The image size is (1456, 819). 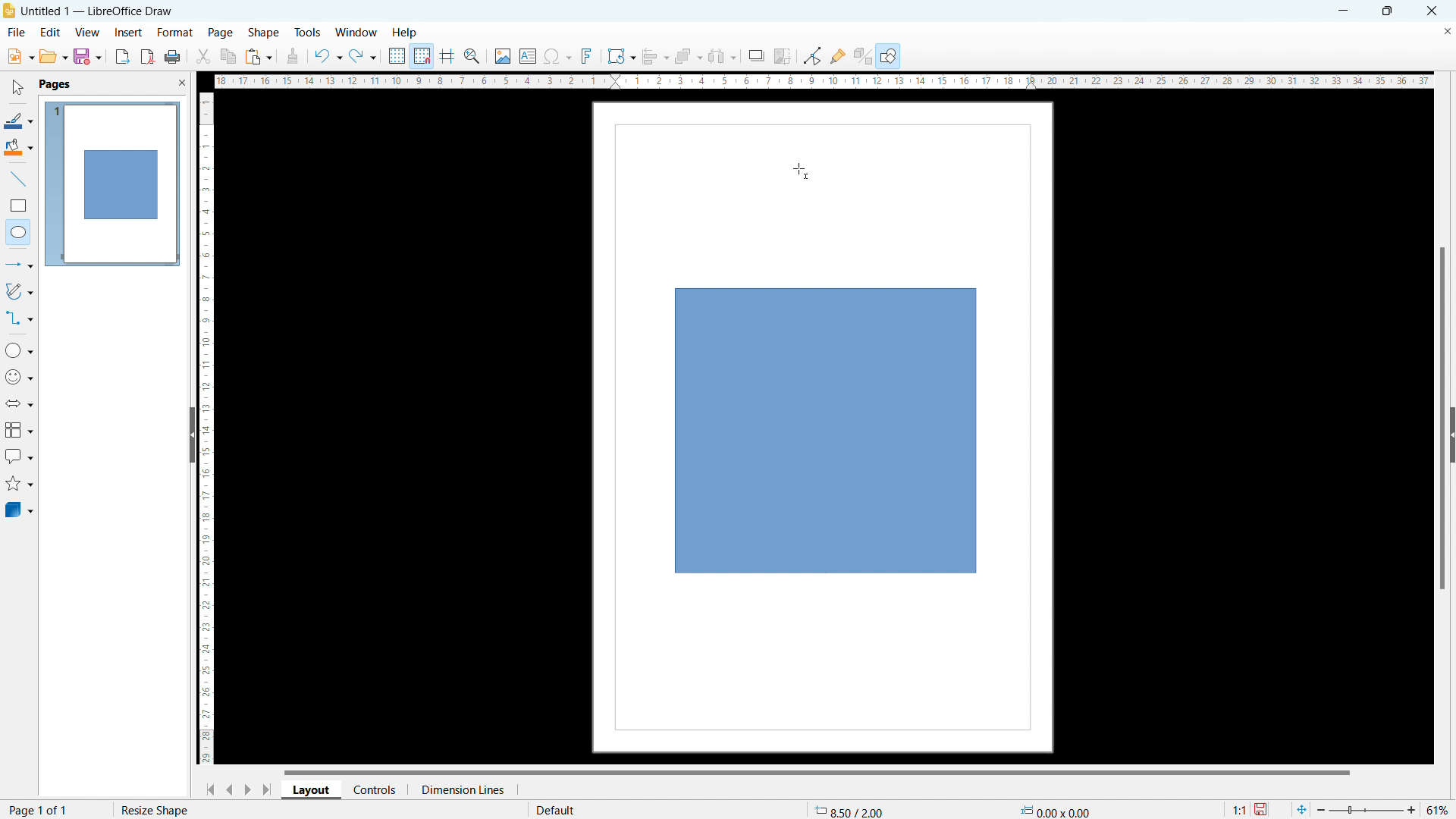 I want to click on insert special character, so click(x=558, y=56).